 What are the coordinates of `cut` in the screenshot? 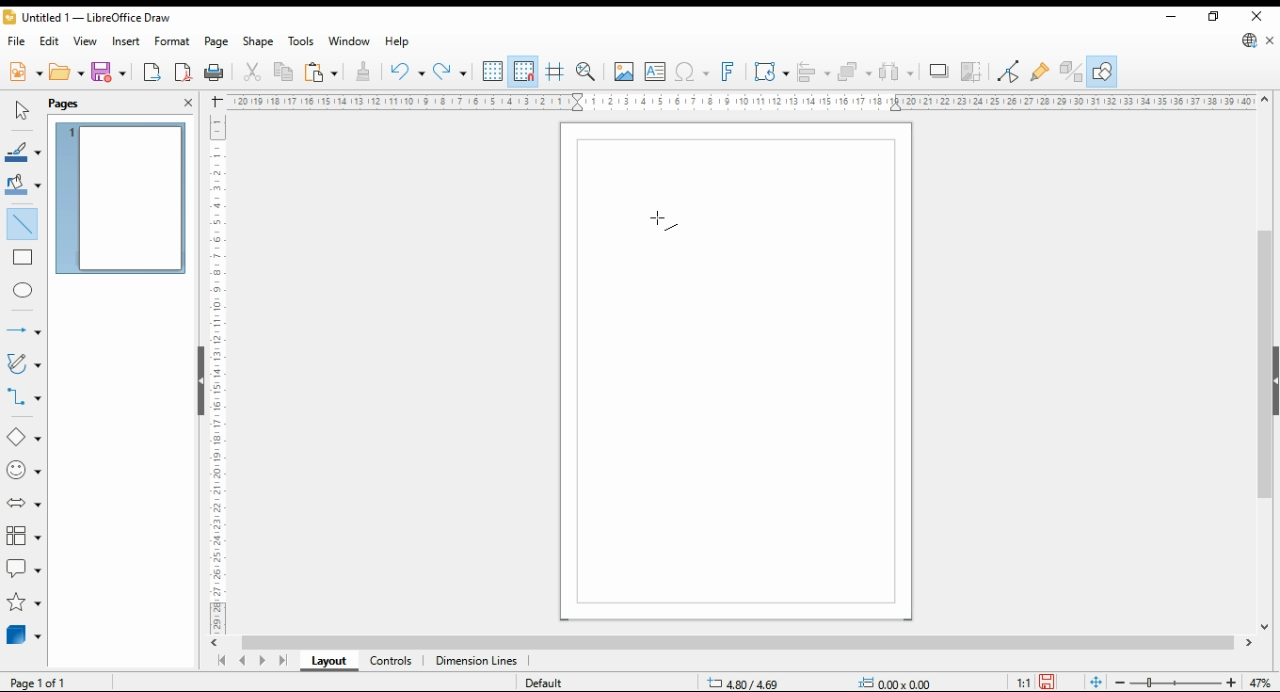 It's located at (250, 72).